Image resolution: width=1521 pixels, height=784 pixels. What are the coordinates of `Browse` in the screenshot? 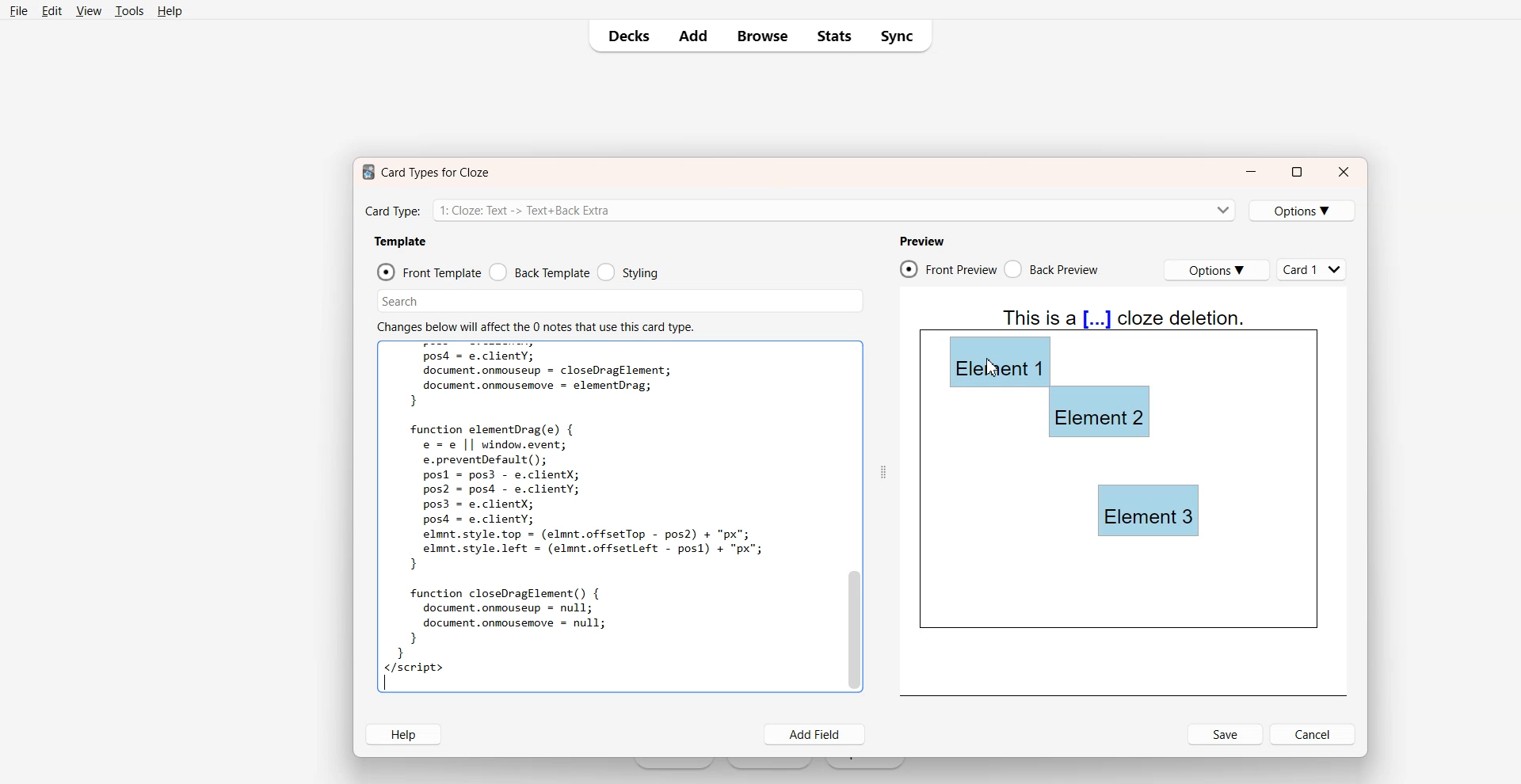 It's located at (761, 36).